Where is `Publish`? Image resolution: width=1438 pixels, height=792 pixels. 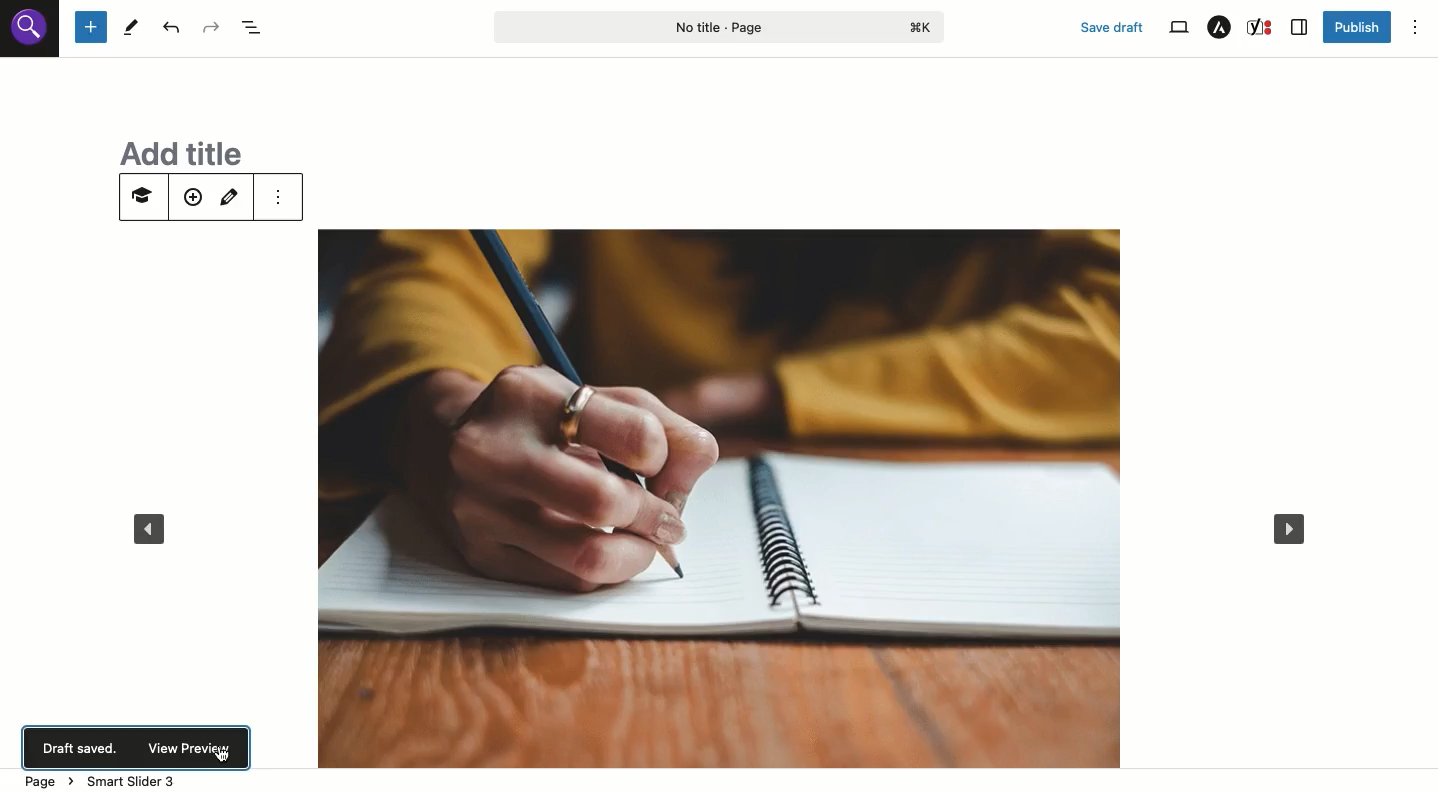
Publish is located at coordinates (1357, 29).